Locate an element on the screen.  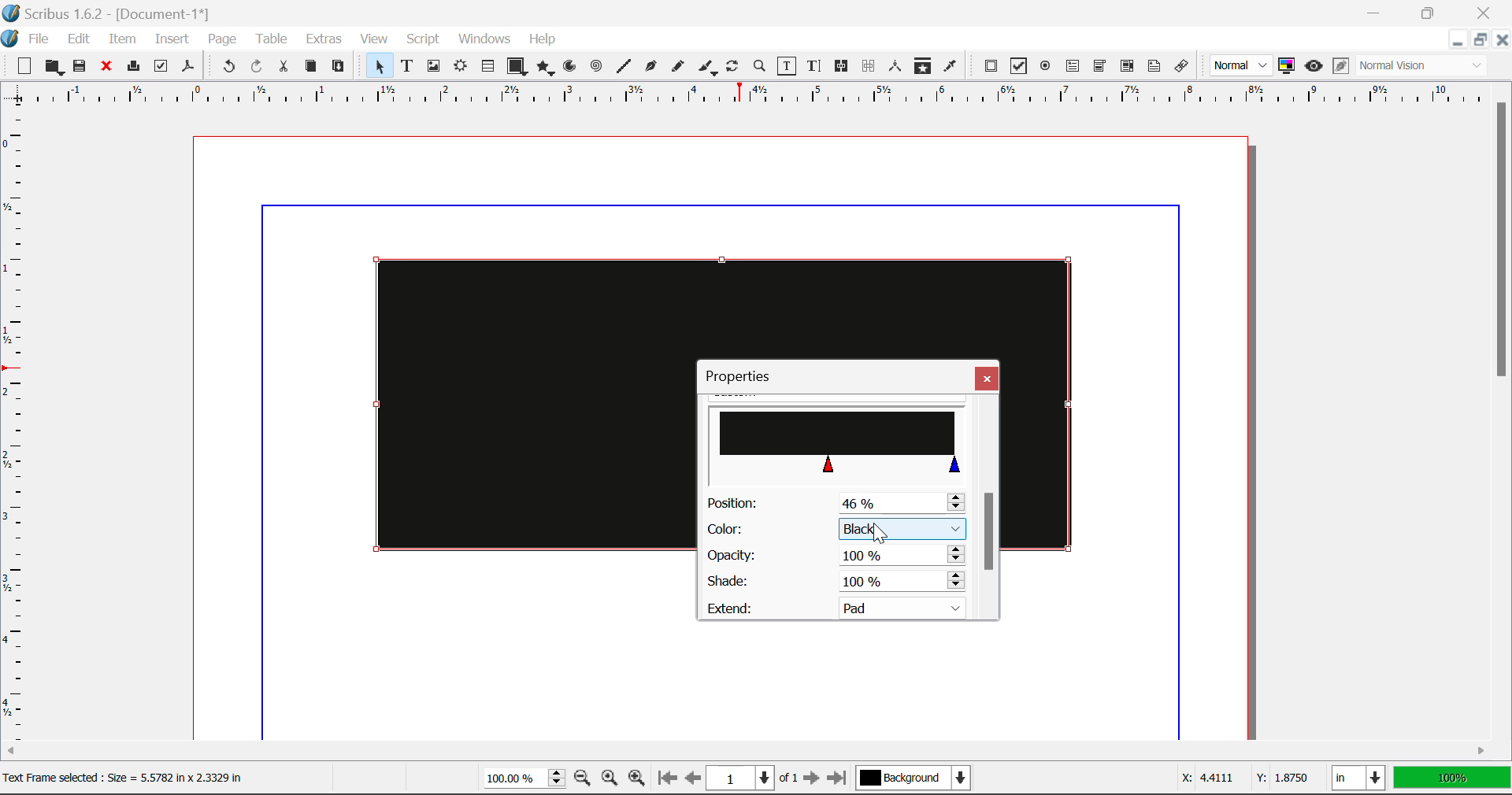
Zoom 100% is located at coordinates (524, 780).